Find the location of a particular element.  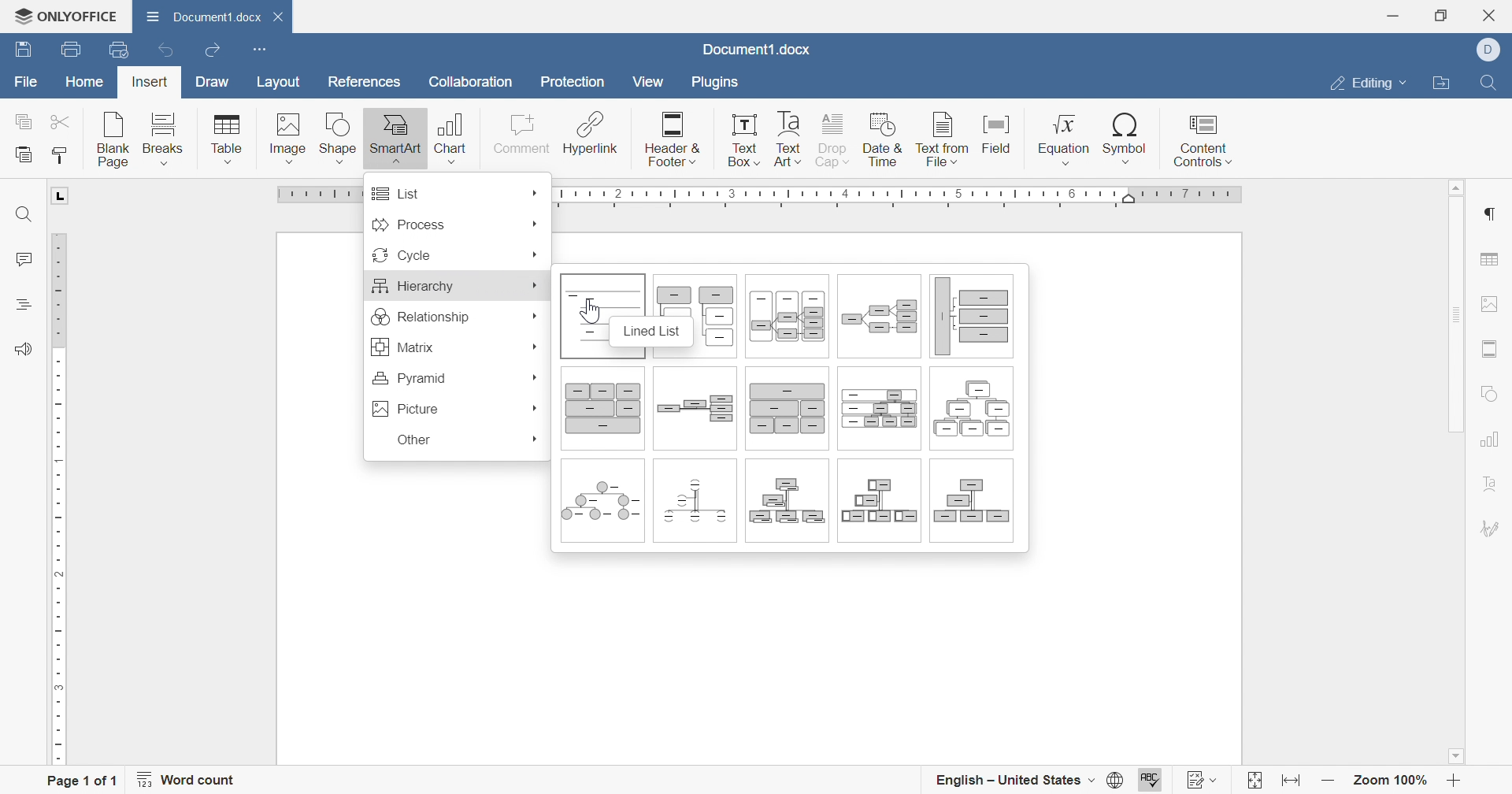

Circle picture hierarchy is located at coordinates (602, 503).